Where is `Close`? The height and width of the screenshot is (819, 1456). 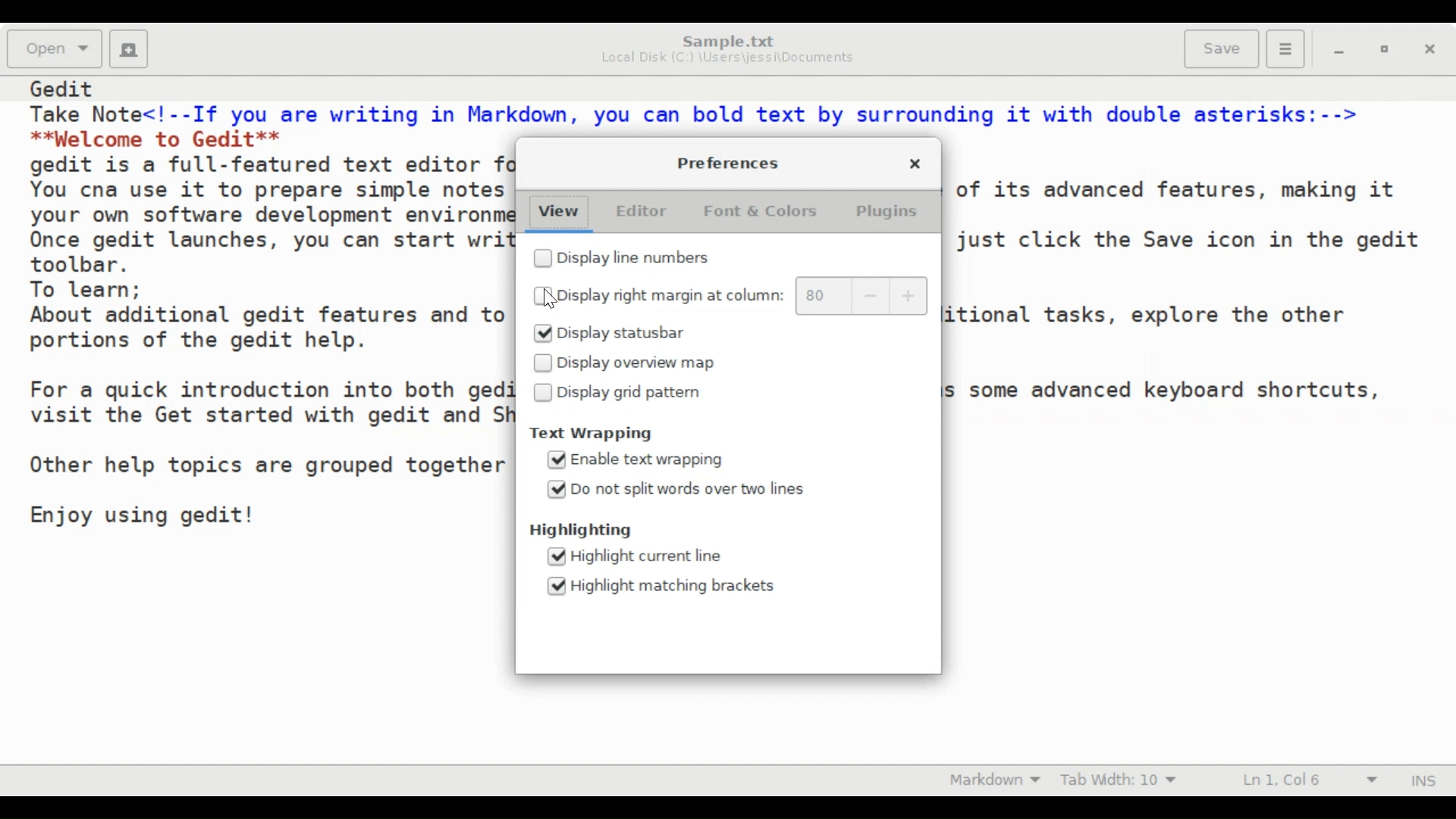 Close is located at coordinates (916, 163).